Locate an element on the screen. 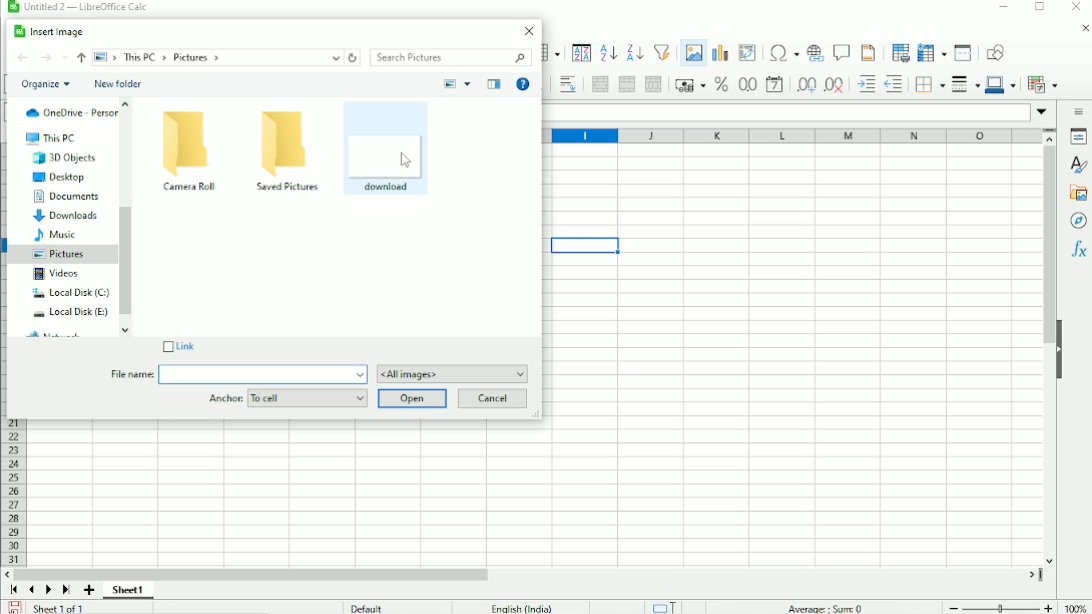  Insert hyperlink is located at coordinates (815, 53).